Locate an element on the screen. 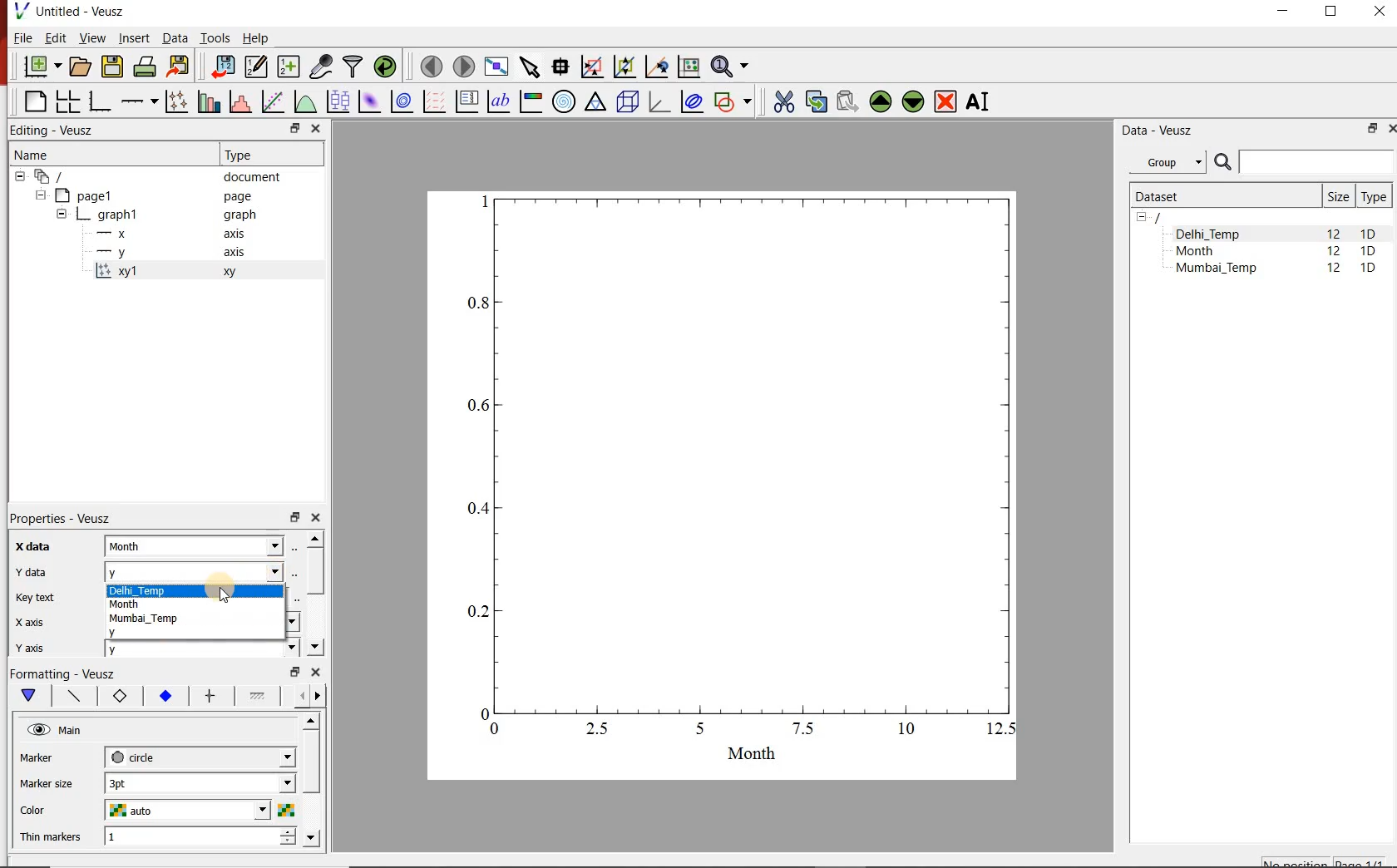 Image resolution: width=1397 pixels, height=868 pixels. cursor is located at coordinates (224, 591).